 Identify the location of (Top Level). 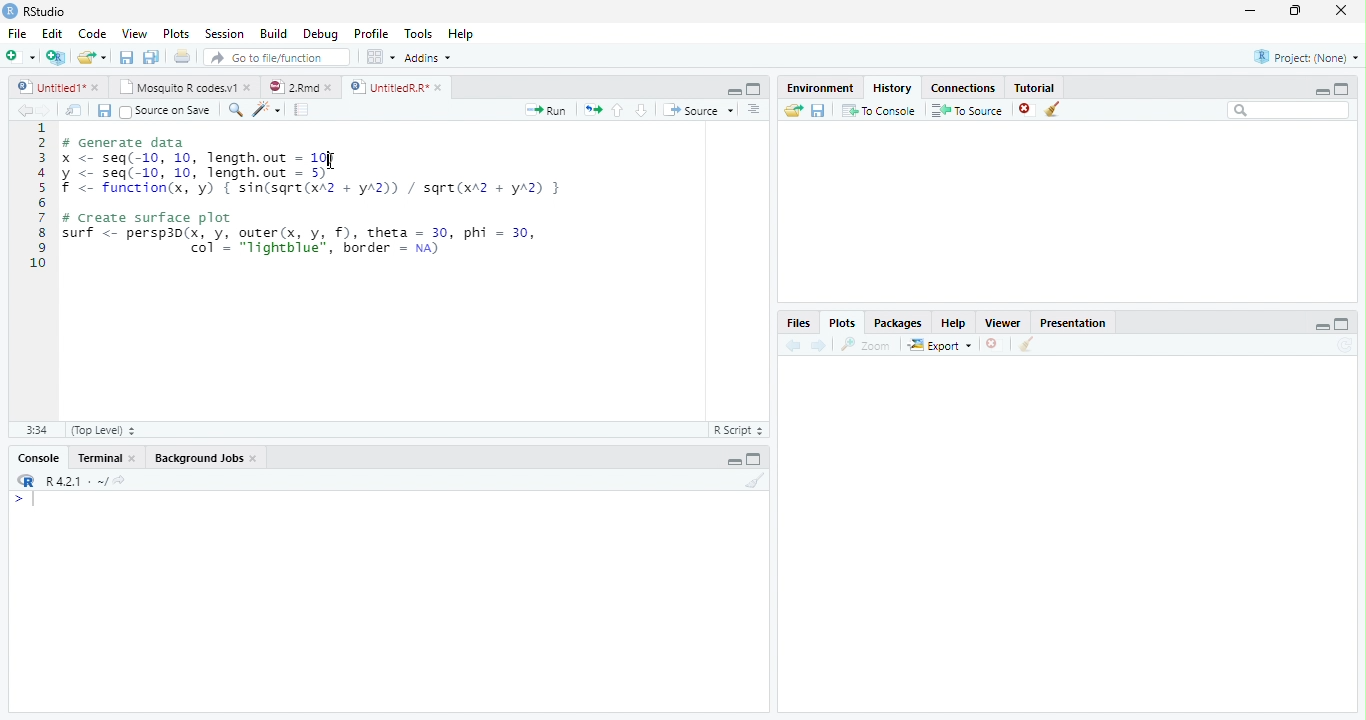
(105, 430).